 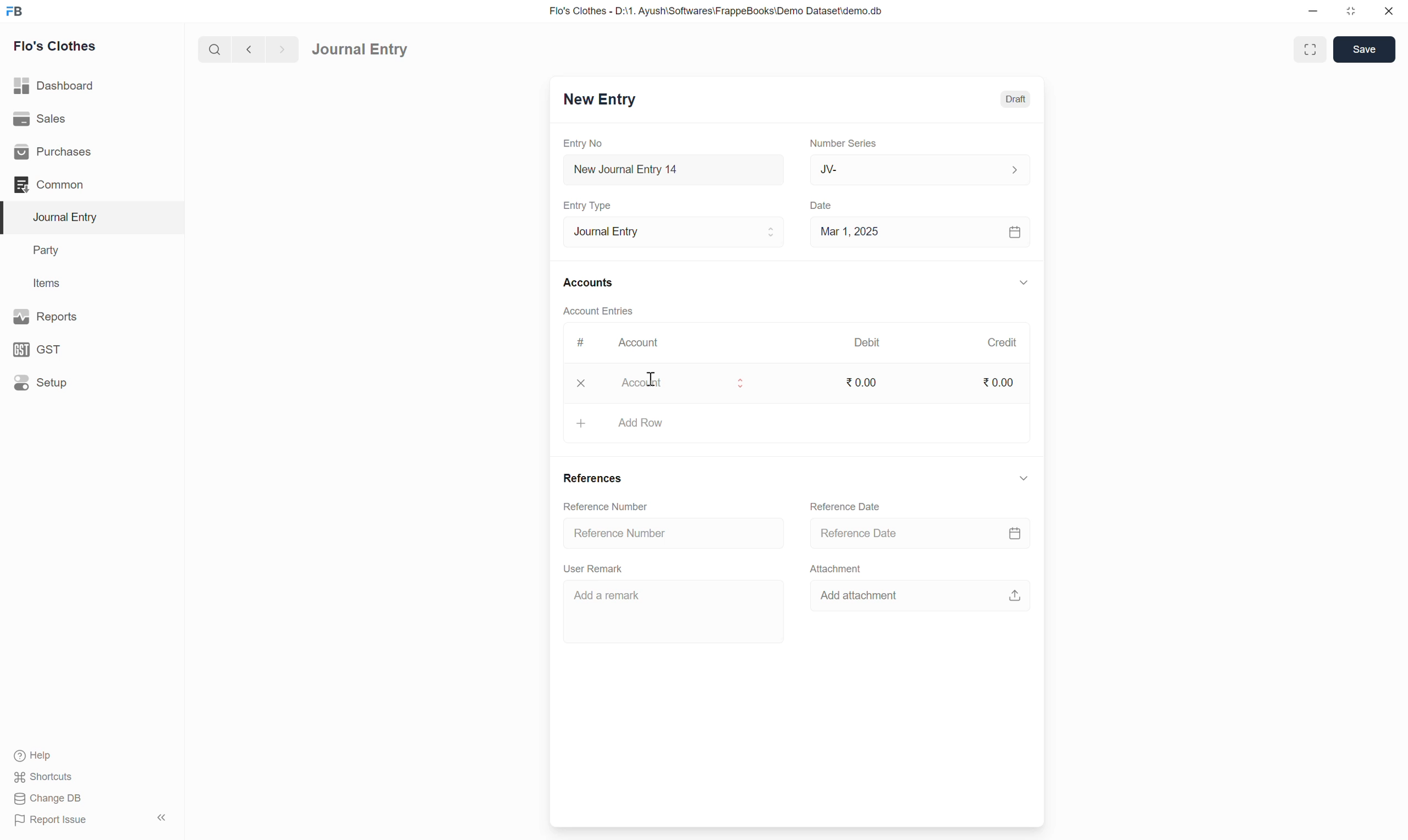 I want to click on New Journal Entry 14, so click(x=646, y=170).